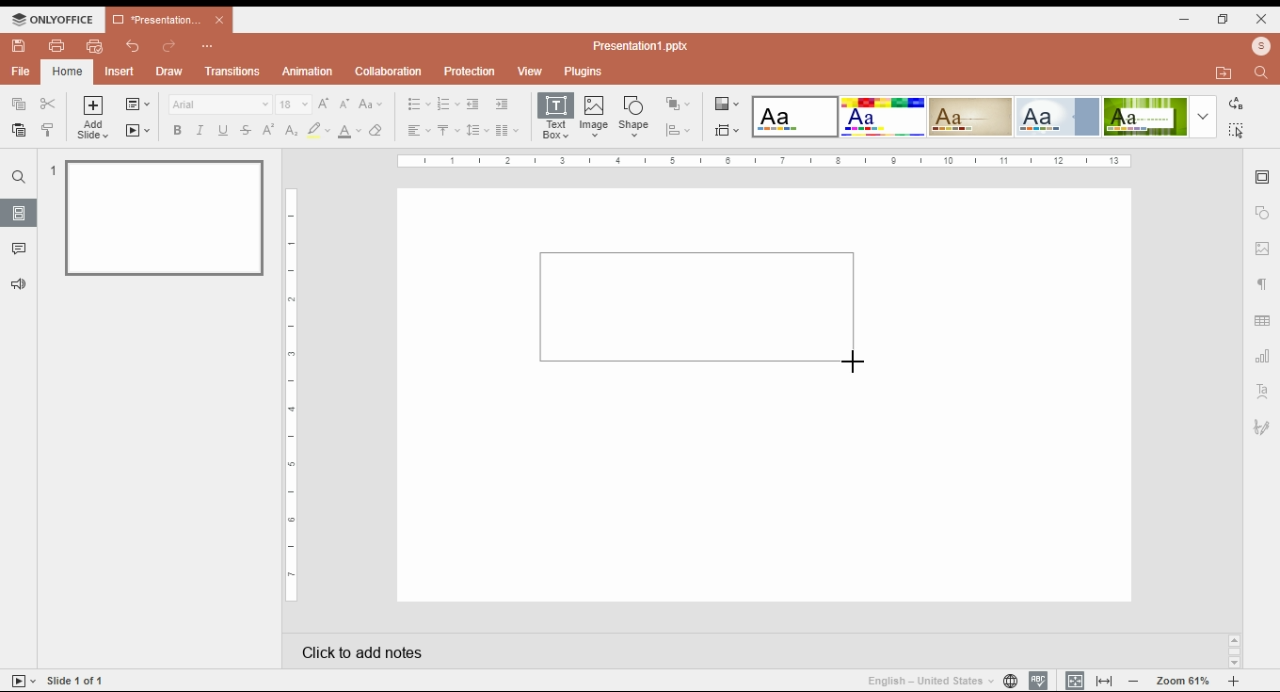 The image size is (1280, 692). I want to click on color theme, so click(971, 116).